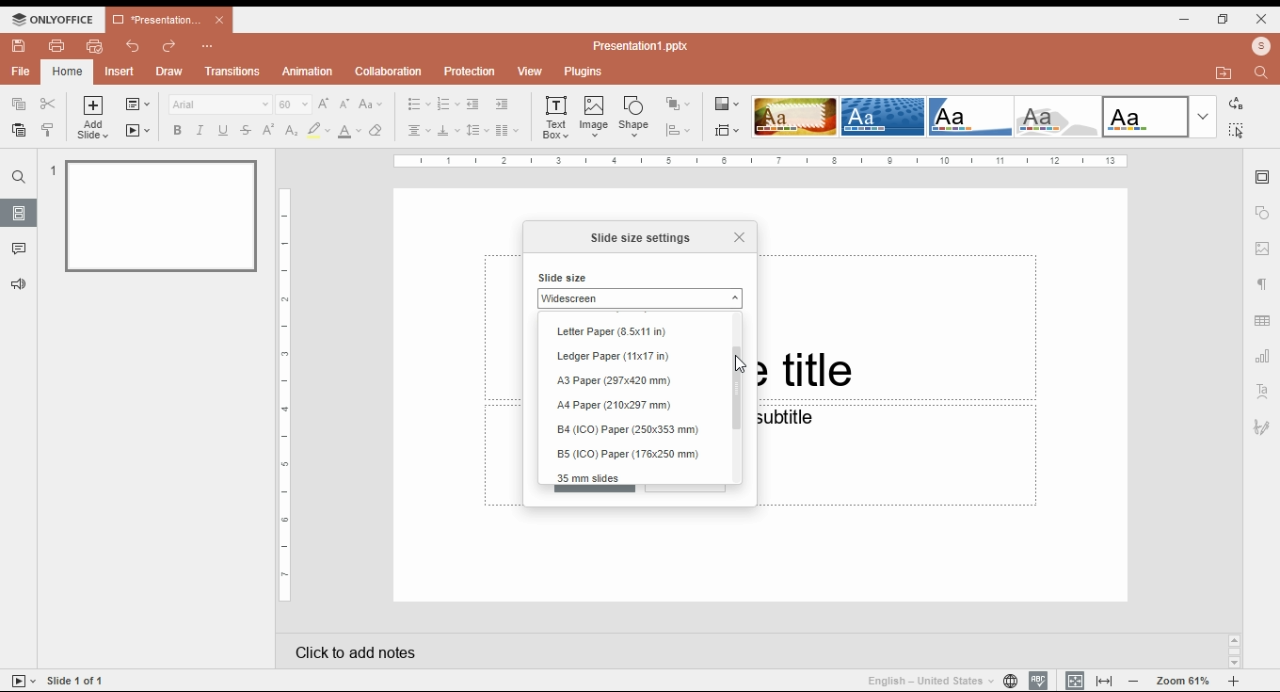  What do you see at coordinates (17, 102) in the screenshot?
I see `copy` at bounding box center [17, 102].